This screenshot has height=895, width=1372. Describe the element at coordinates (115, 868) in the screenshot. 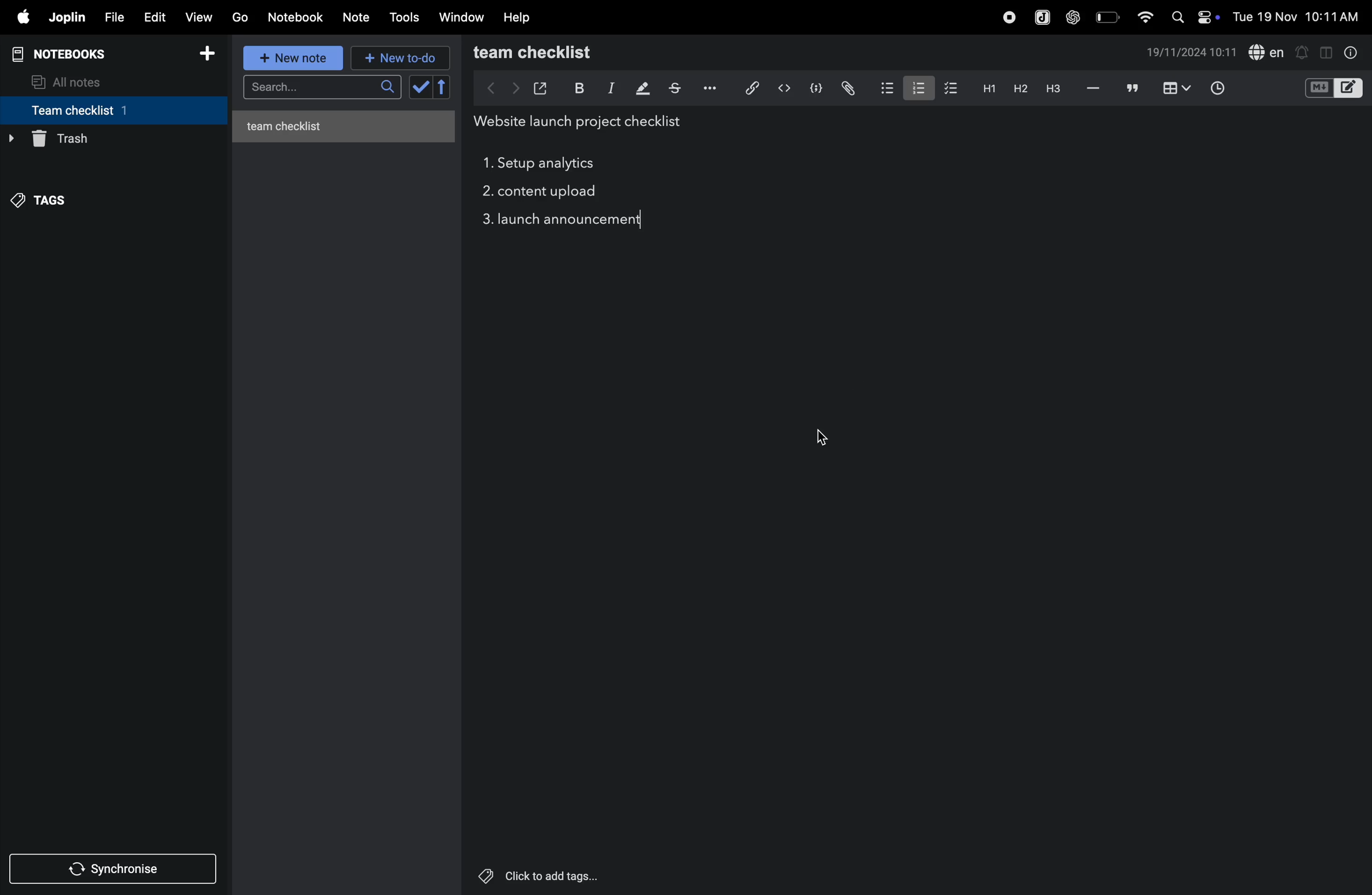

I see `synchronize` at that location.